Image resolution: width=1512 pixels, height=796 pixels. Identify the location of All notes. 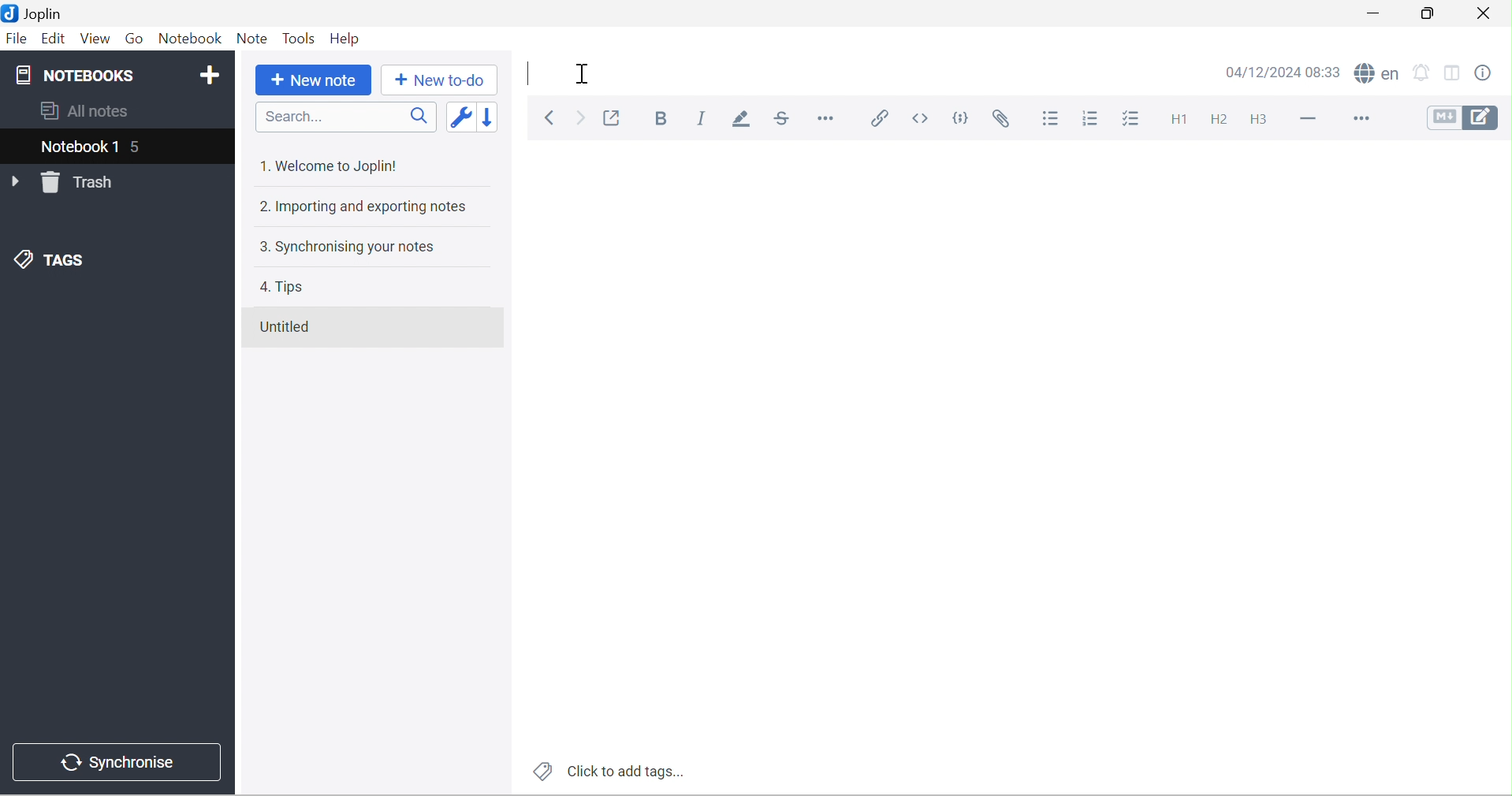
(88, 112).